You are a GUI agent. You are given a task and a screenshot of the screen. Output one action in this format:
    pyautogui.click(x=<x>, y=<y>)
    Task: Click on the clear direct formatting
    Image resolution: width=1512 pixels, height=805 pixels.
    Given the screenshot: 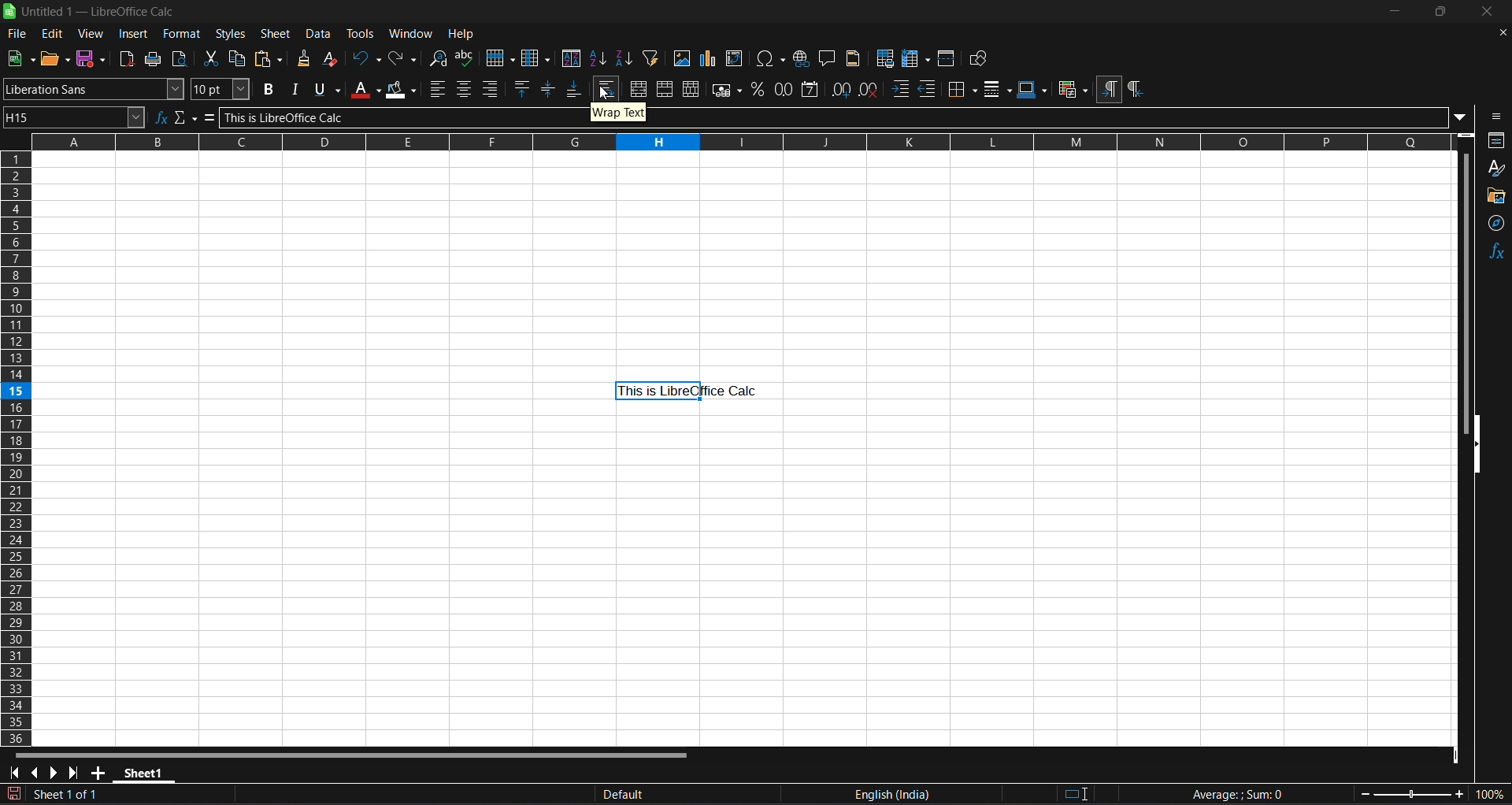 What is the action you would take?
    pyautogui.click(x=331, y=58)
    